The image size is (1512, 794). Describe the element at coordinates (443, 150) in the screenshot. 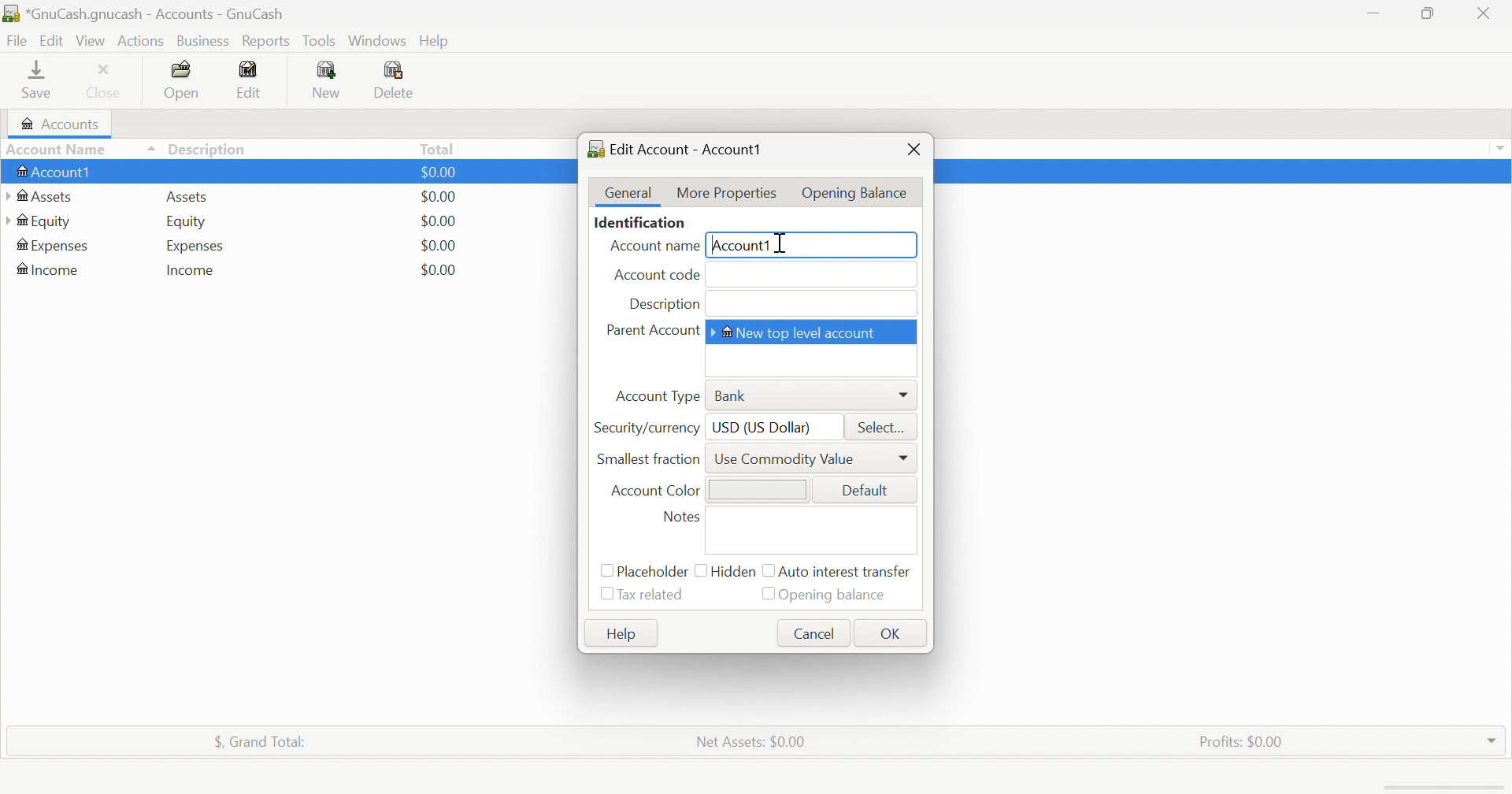

I see `Total` at that location.